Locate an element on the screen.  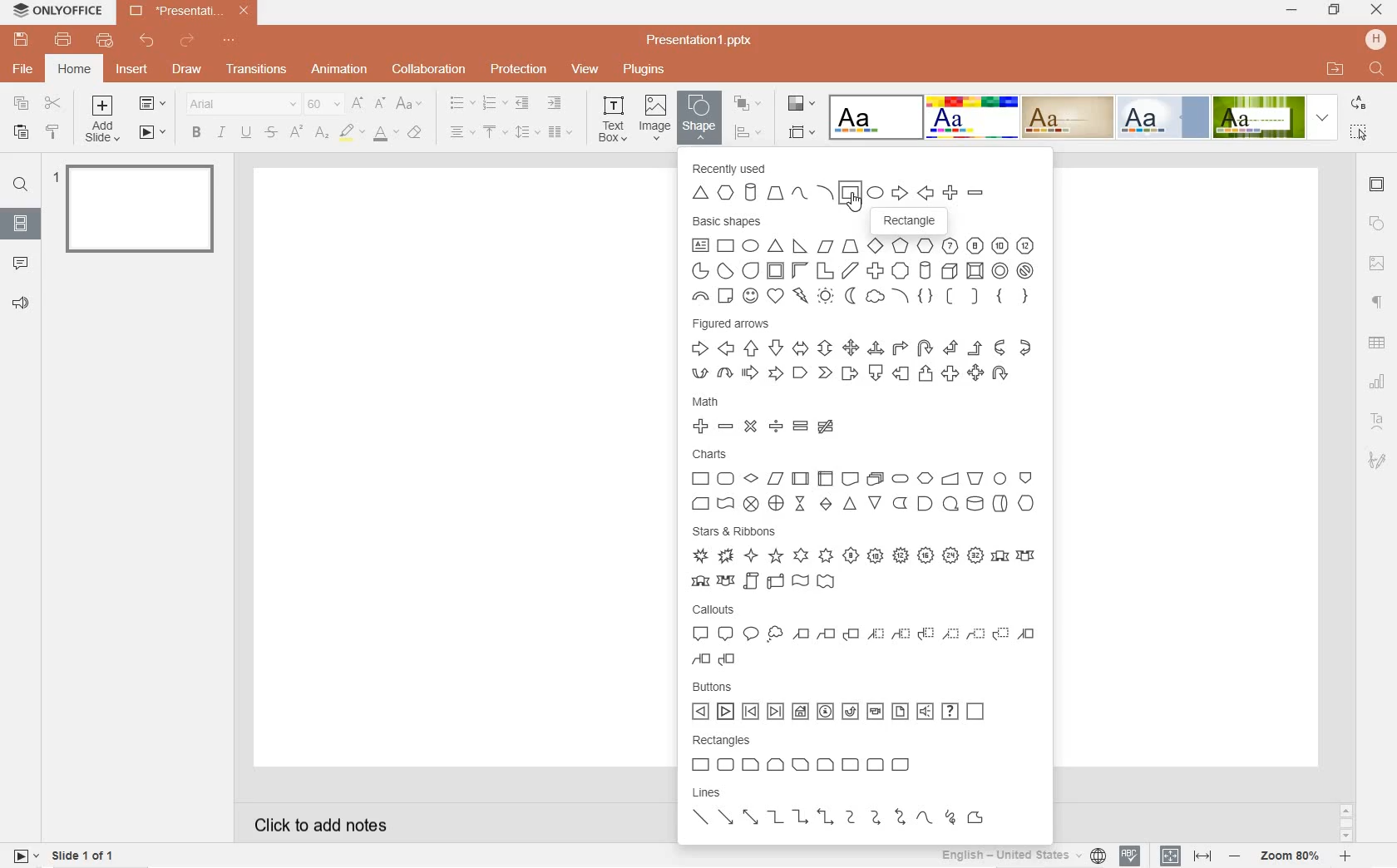
Up Arrow is located at coordinates (751, 349).